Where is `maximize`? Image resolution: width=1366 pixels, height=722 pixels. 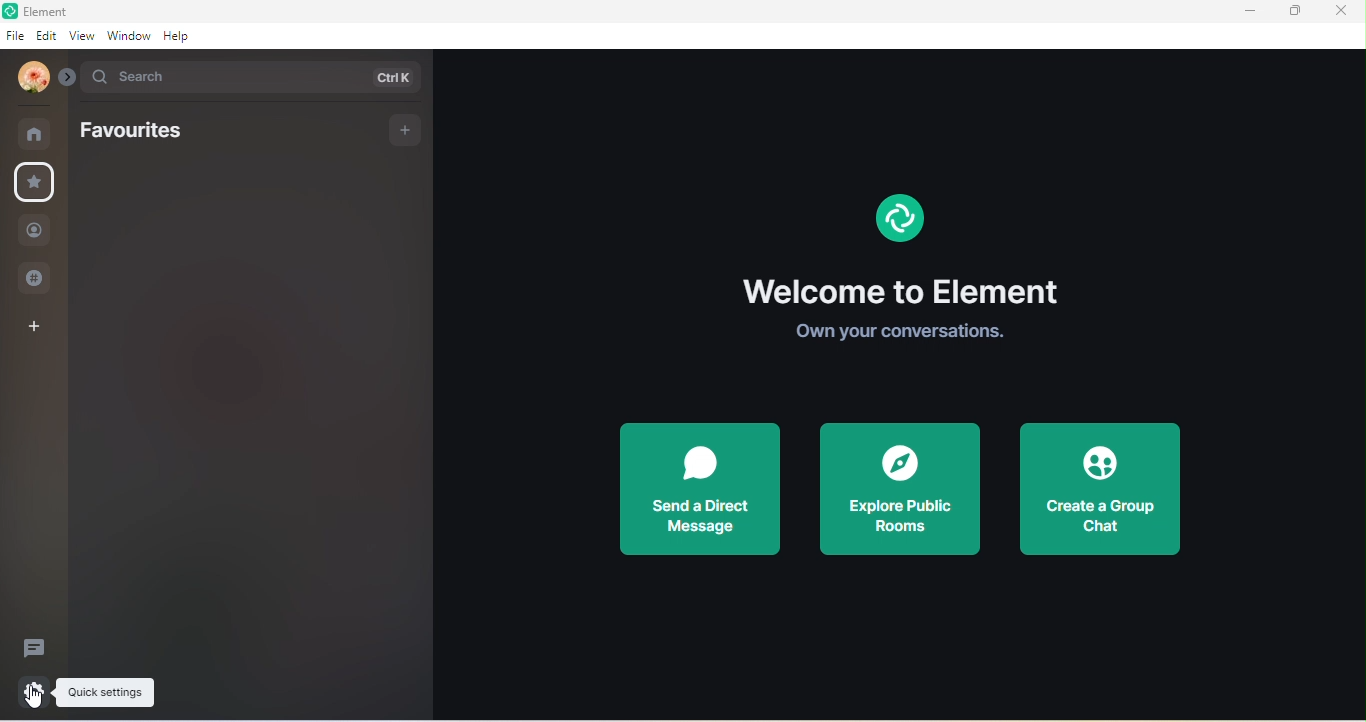
maximize is located at coordinates (1293, 12).